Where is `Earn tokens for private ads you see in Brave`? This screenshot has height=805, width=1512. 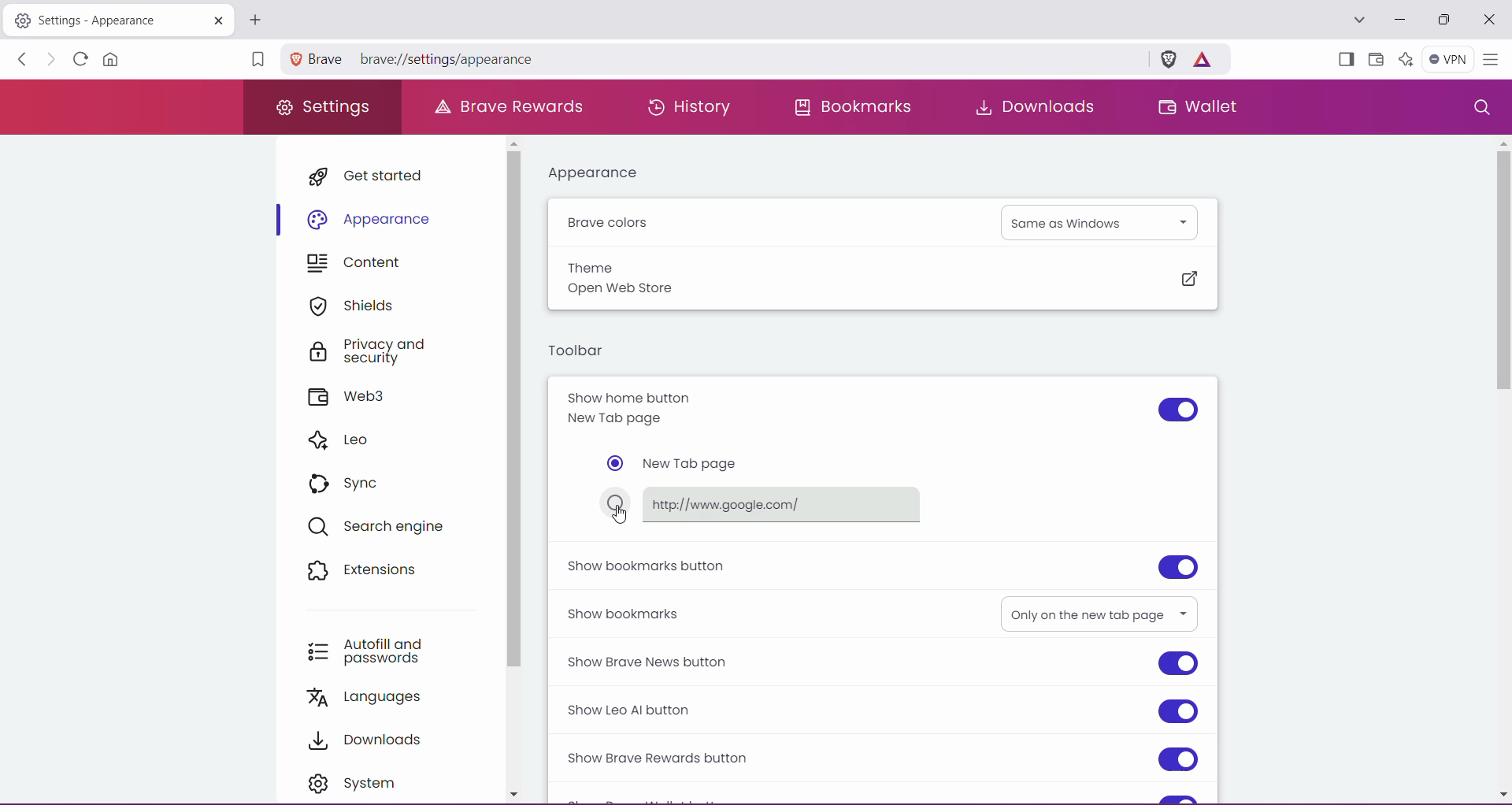 Earn tokens for private ads you see in Brave is located at coordinates (1202, 58).